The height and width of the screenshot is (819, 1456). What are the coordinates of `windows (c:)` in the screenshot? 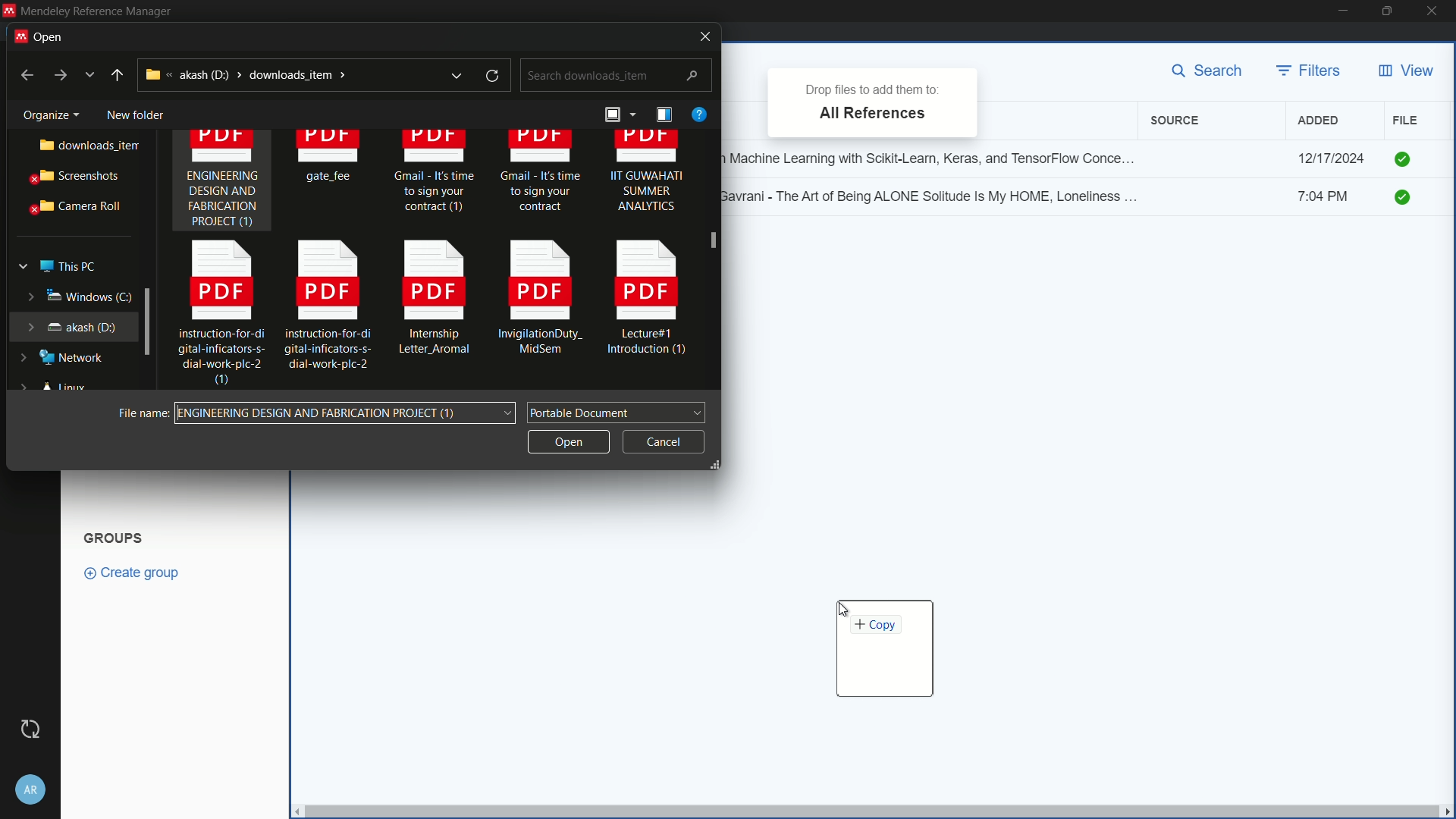 It's located at (68, 296).